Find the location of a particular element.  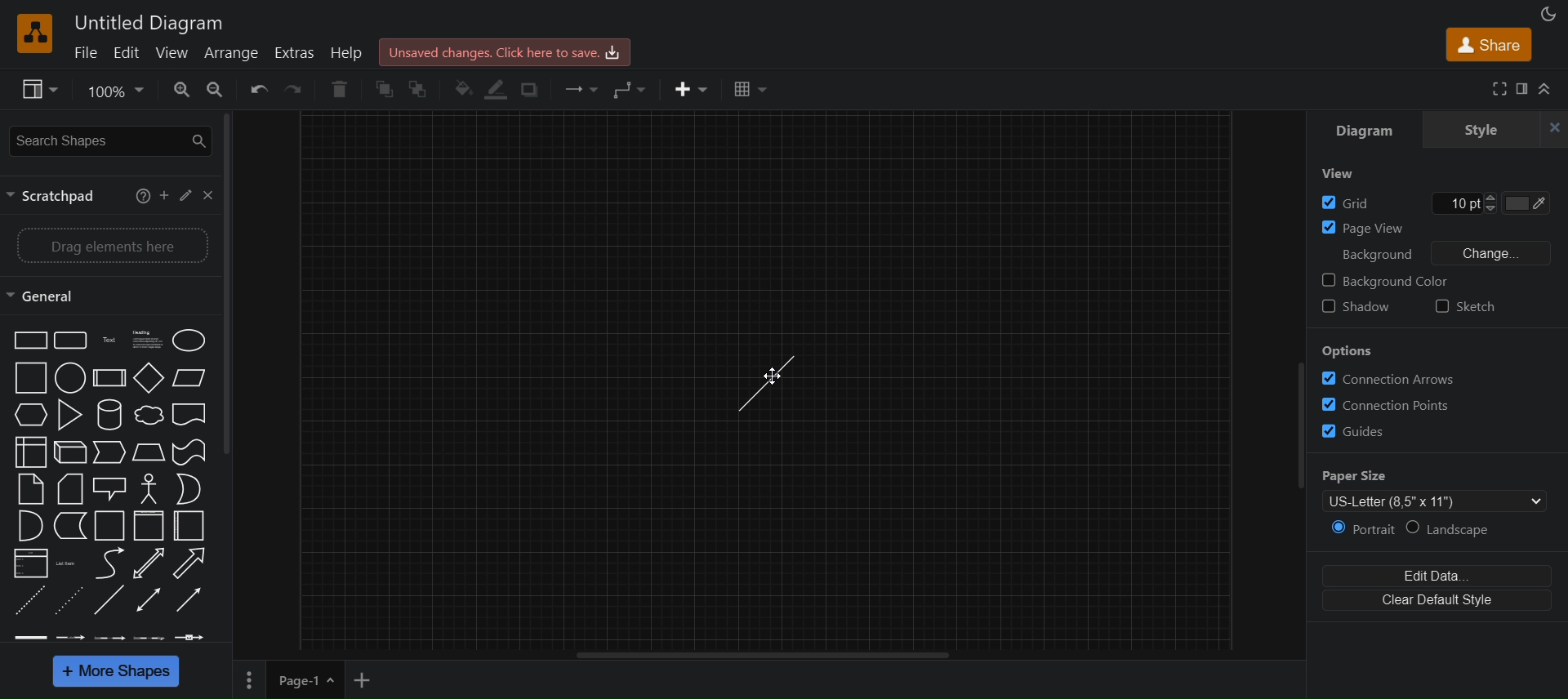

Note is located at coordinates (30, 489).